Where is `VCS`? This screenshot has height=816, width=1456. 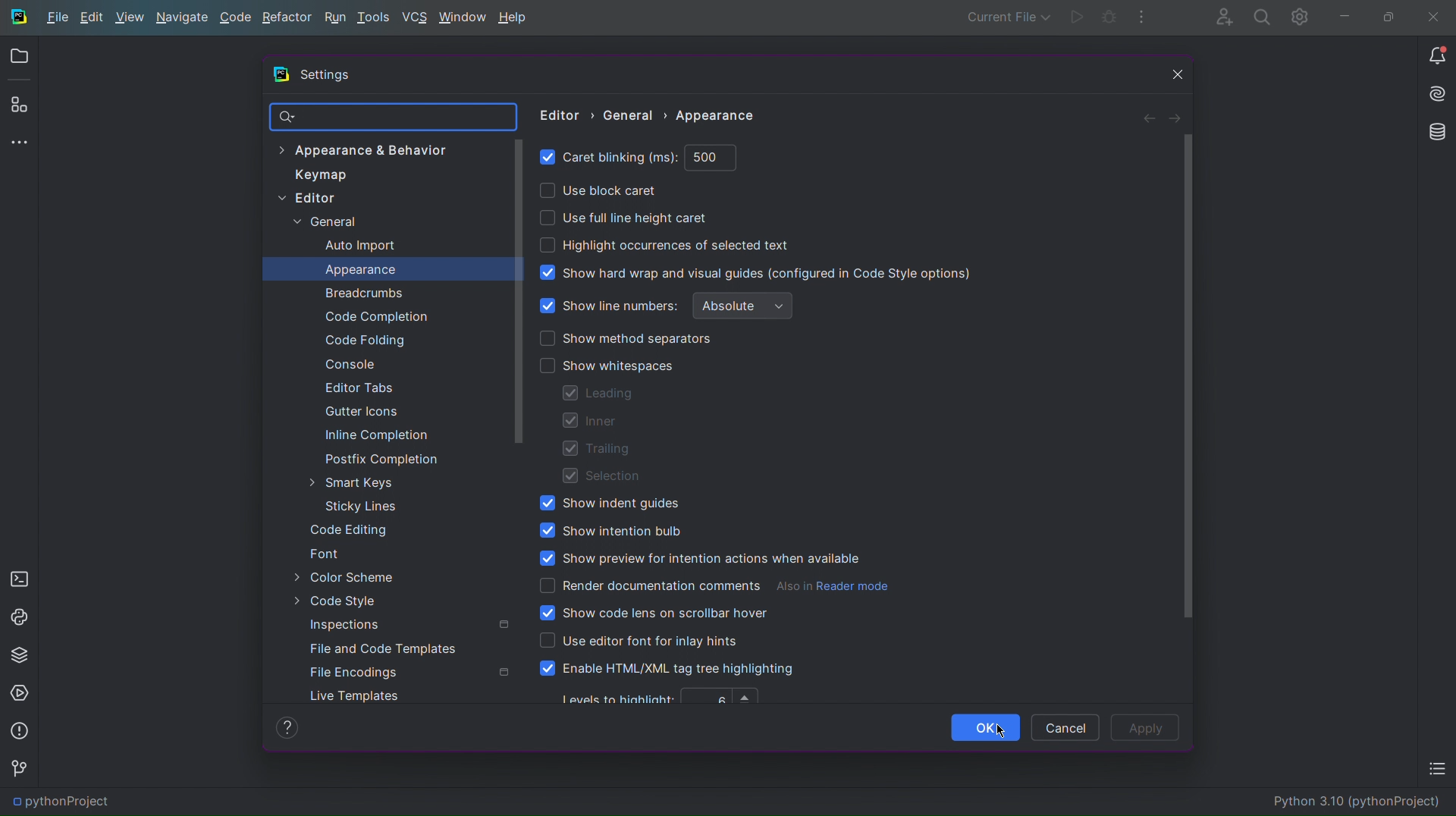 VCS is located at coordinates (416, 17).